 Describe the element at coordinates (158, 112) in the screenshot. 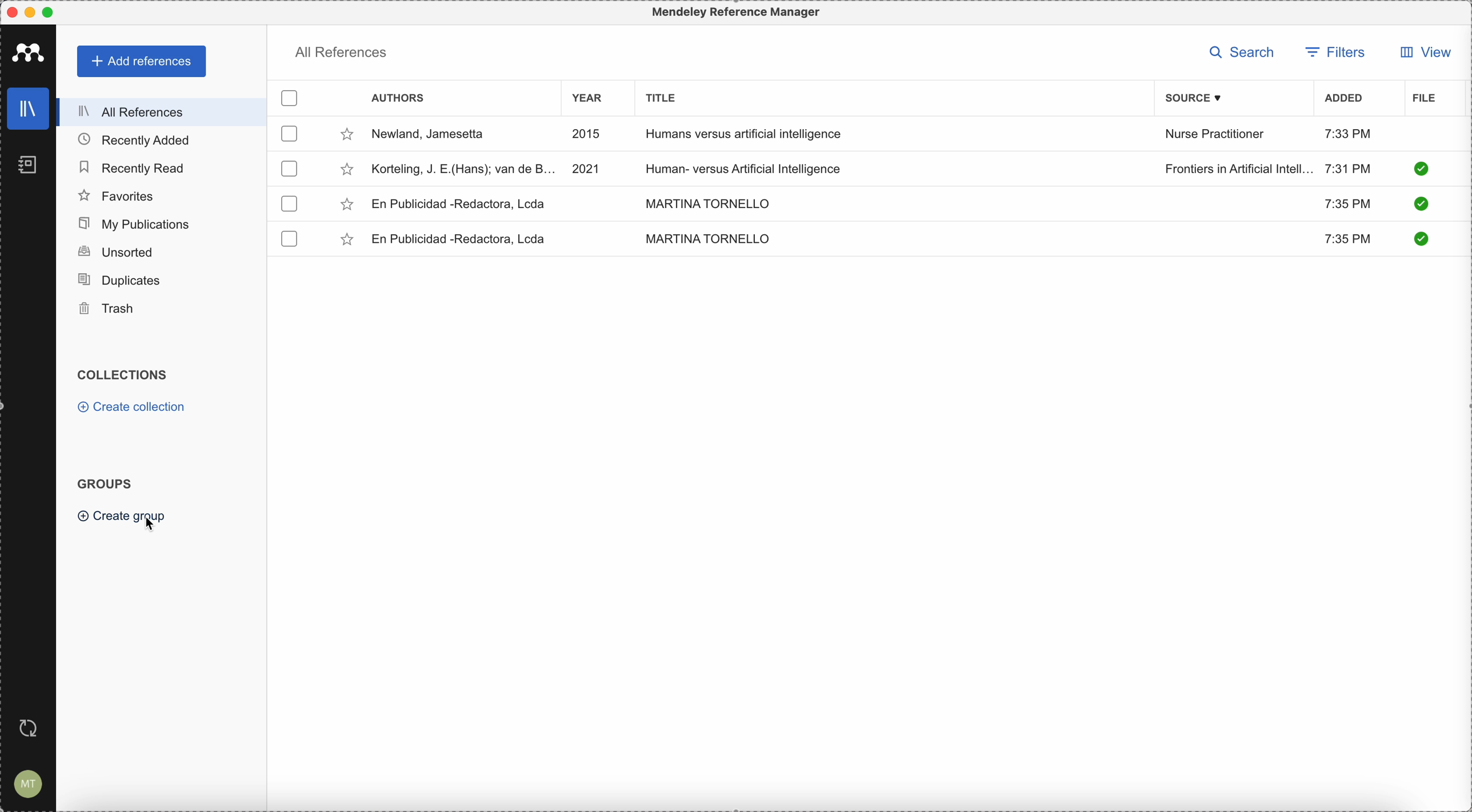

I see `all references` at that location.